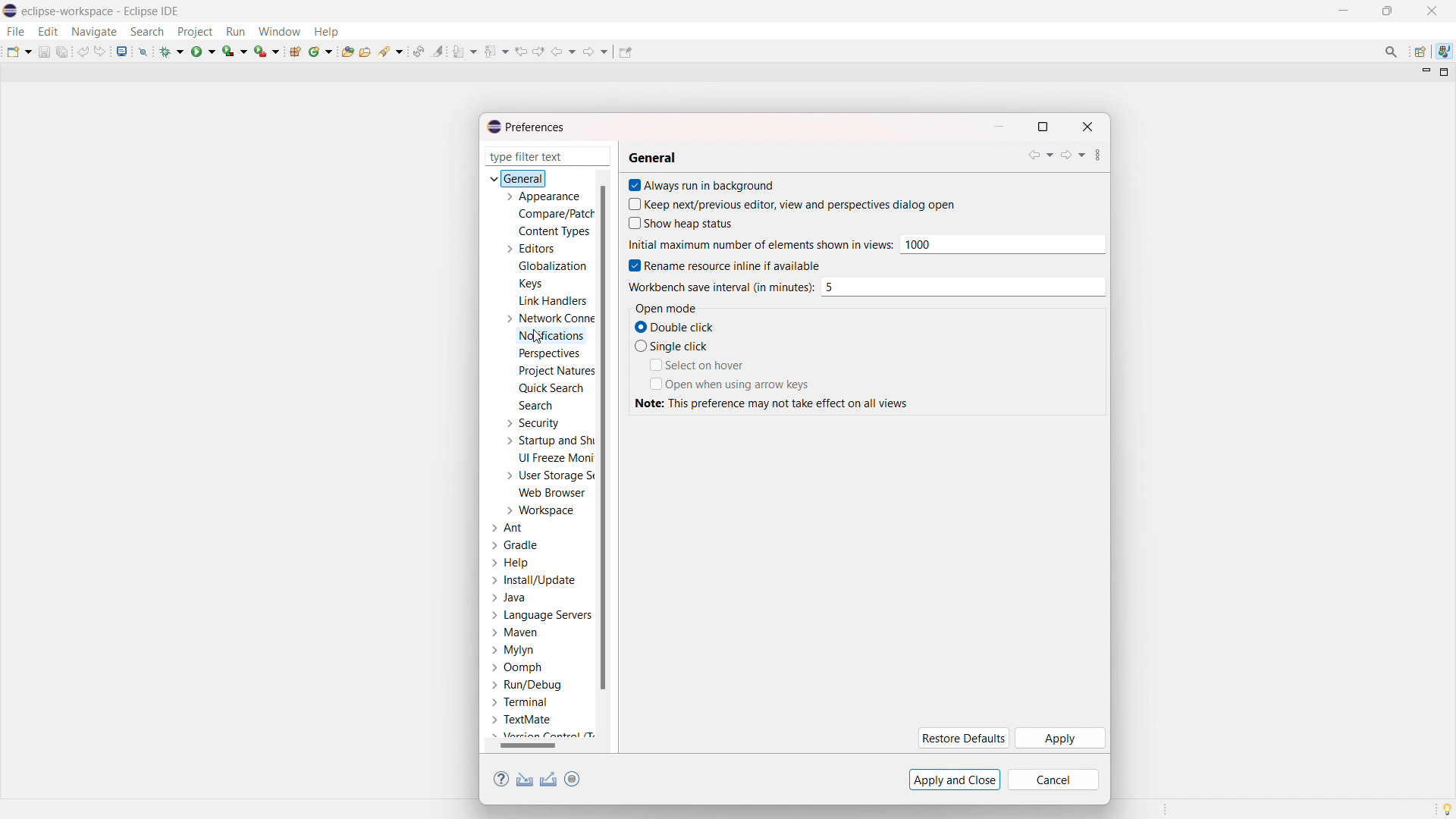 This screenshot has width=1456, height=819. I want to click on user storage service, so click(547, 475).